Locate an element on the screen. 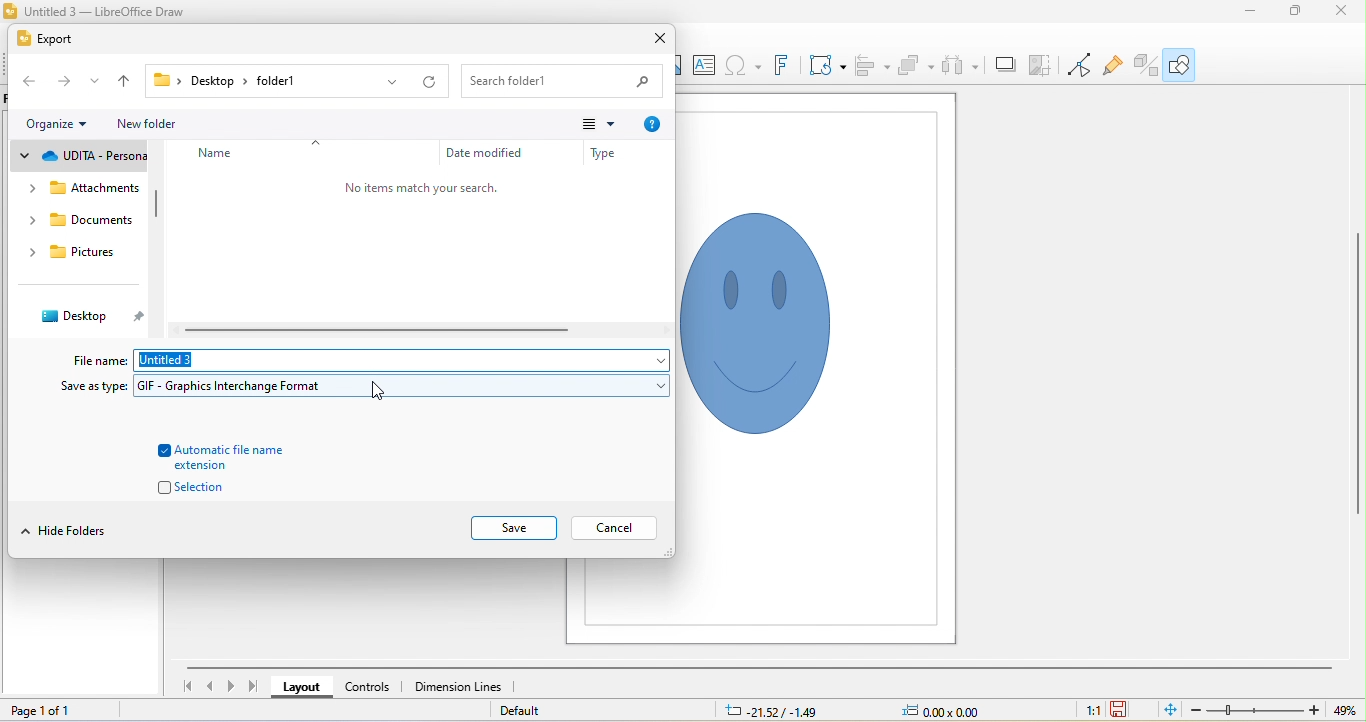 This screenshot has width=1366, height=722. previous is located at coordinates (210, 687).